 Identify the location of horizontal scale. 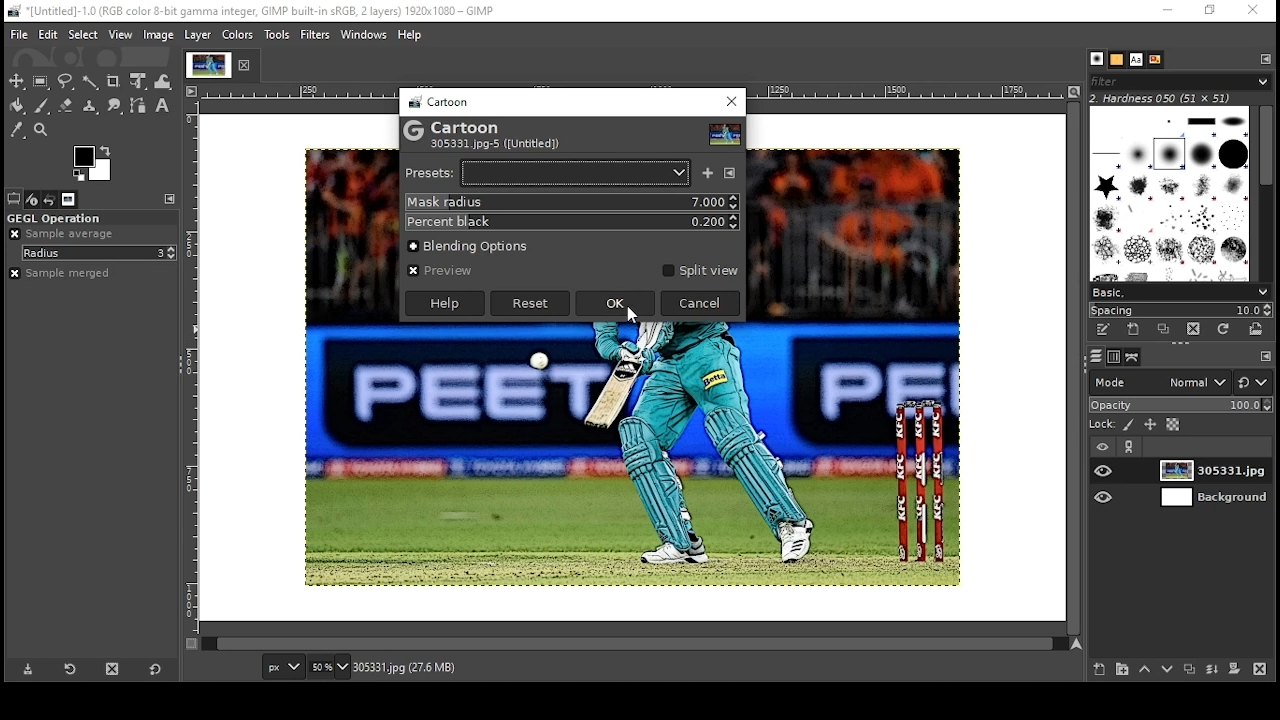
(295, 93).